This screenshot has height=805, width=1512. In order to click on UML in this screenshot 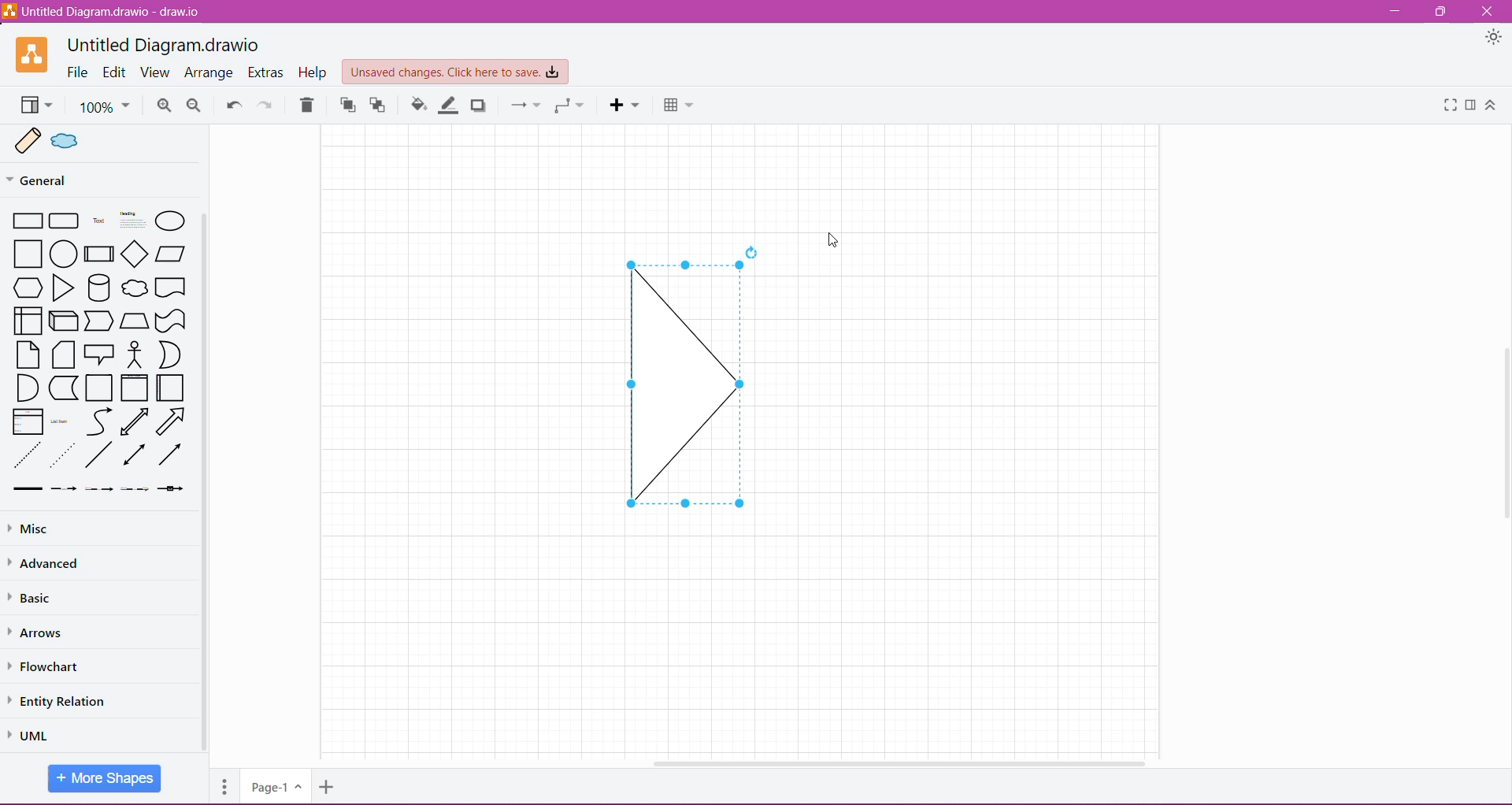, I will do `click(31, 733)`.